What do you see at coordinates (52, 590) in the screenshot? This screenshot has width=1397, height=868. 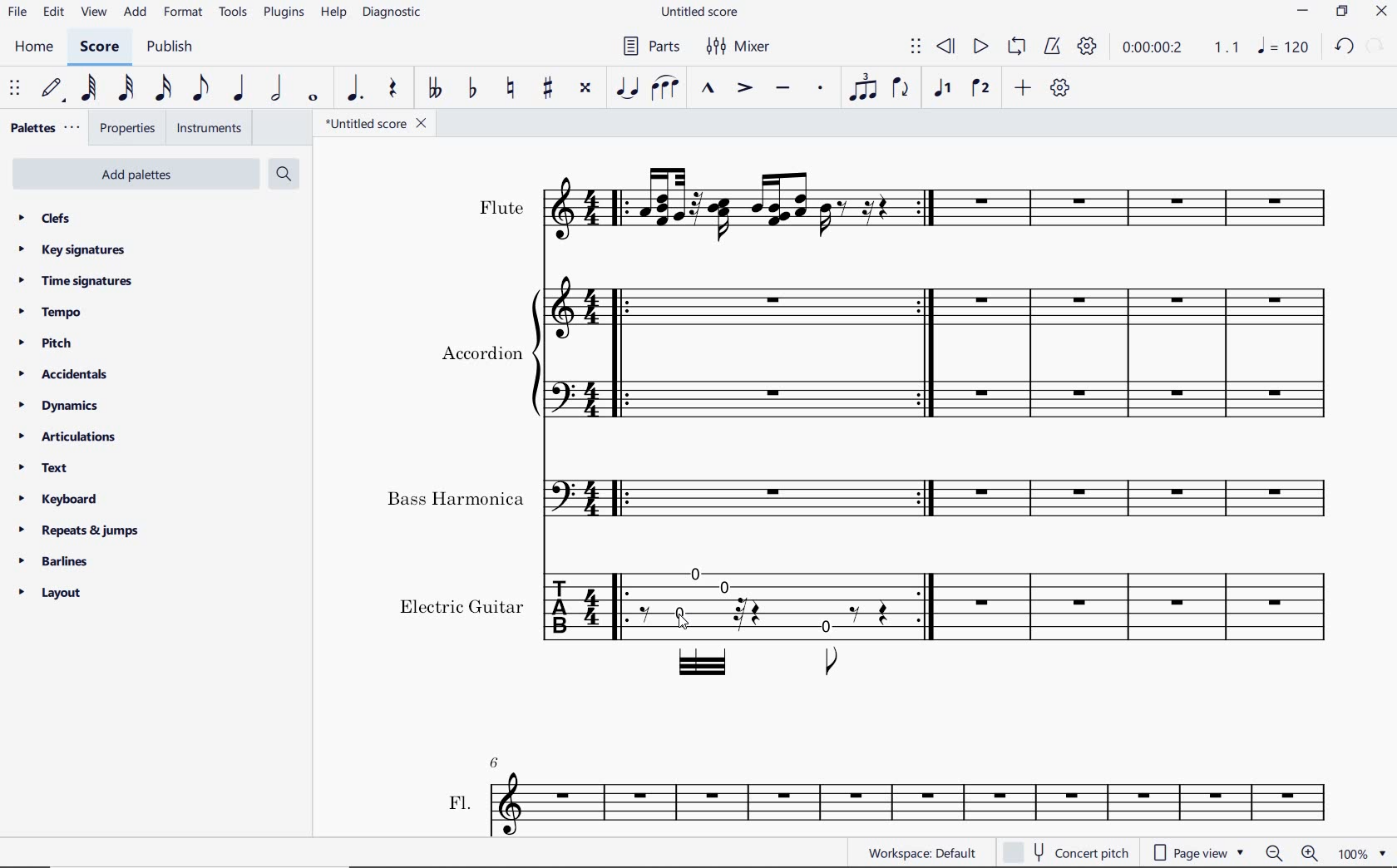 I see `layout` at bounding box center [52, 590].